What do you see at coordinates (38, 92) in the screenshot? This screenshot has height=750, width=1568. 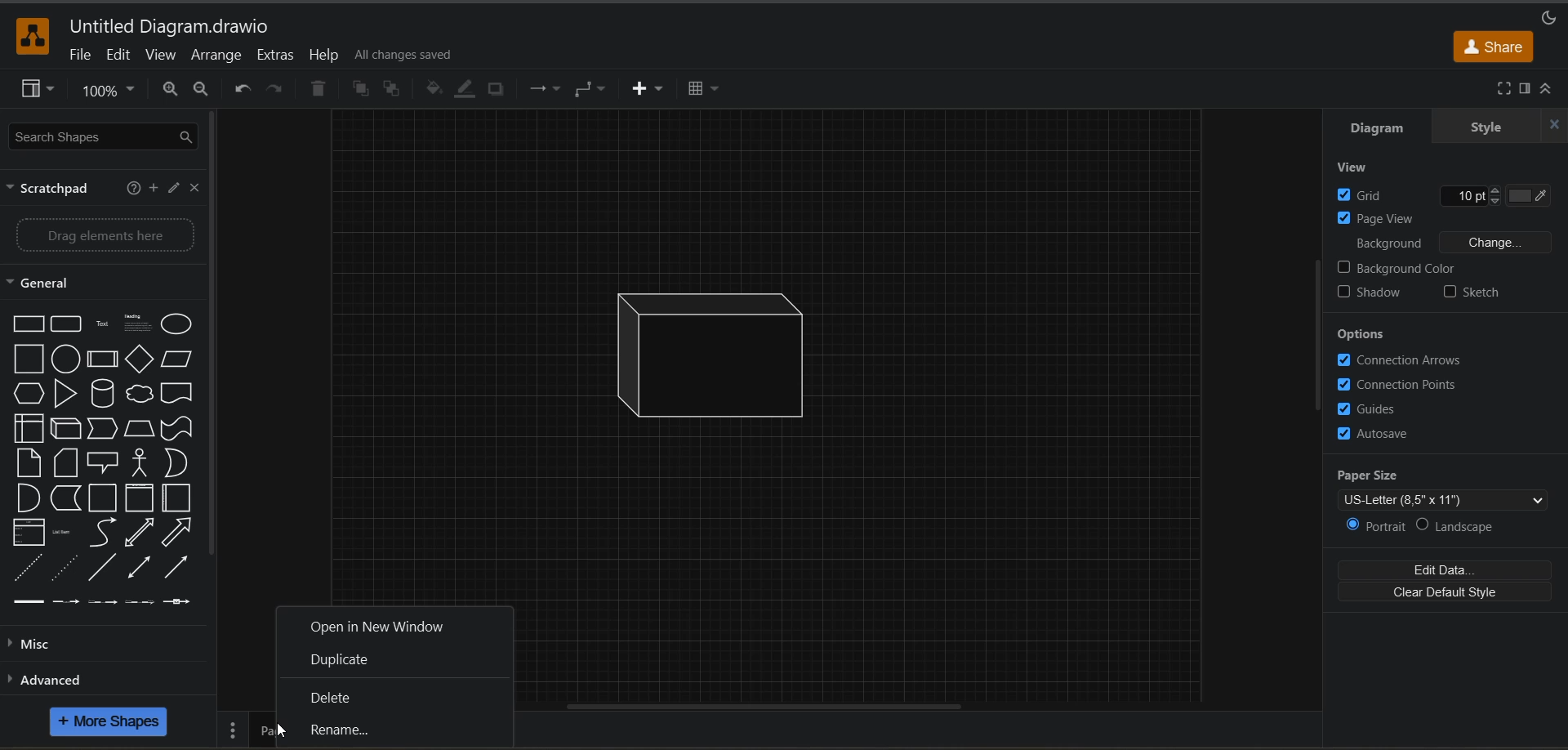 I see `view` at bounding box center [38, 92].